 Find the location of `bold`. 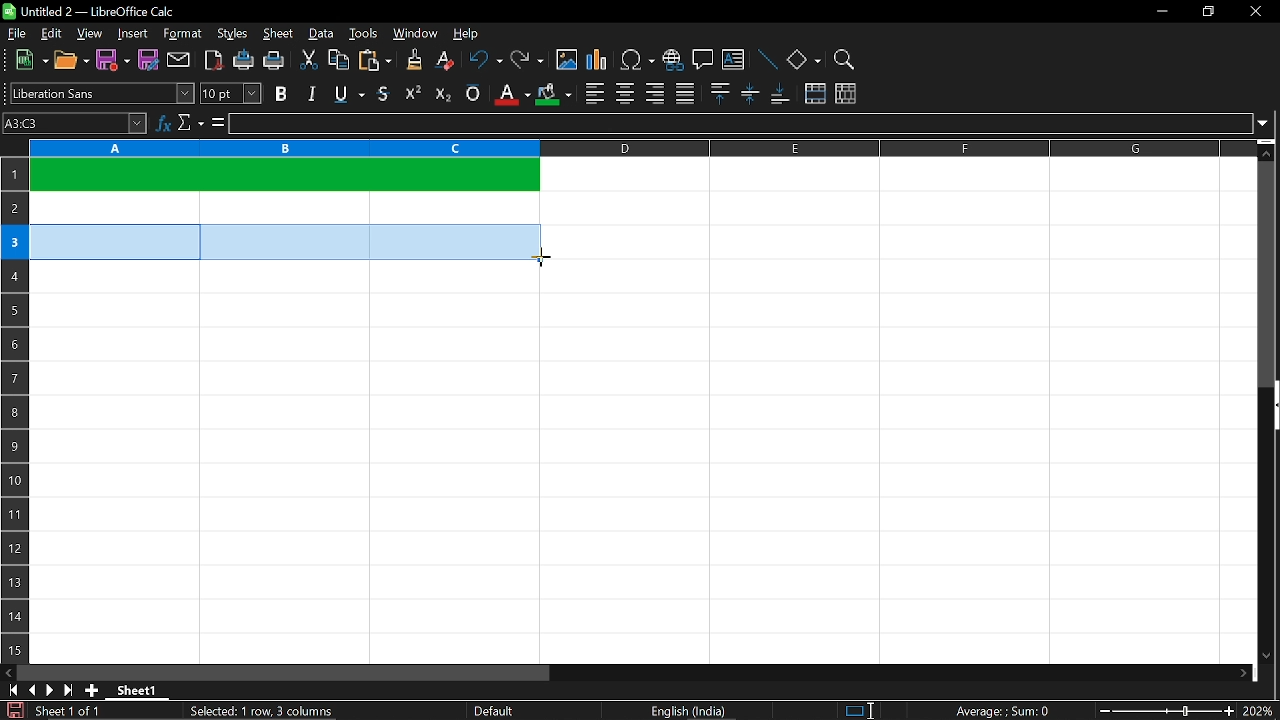

bold is located at coordinates (281, 94).